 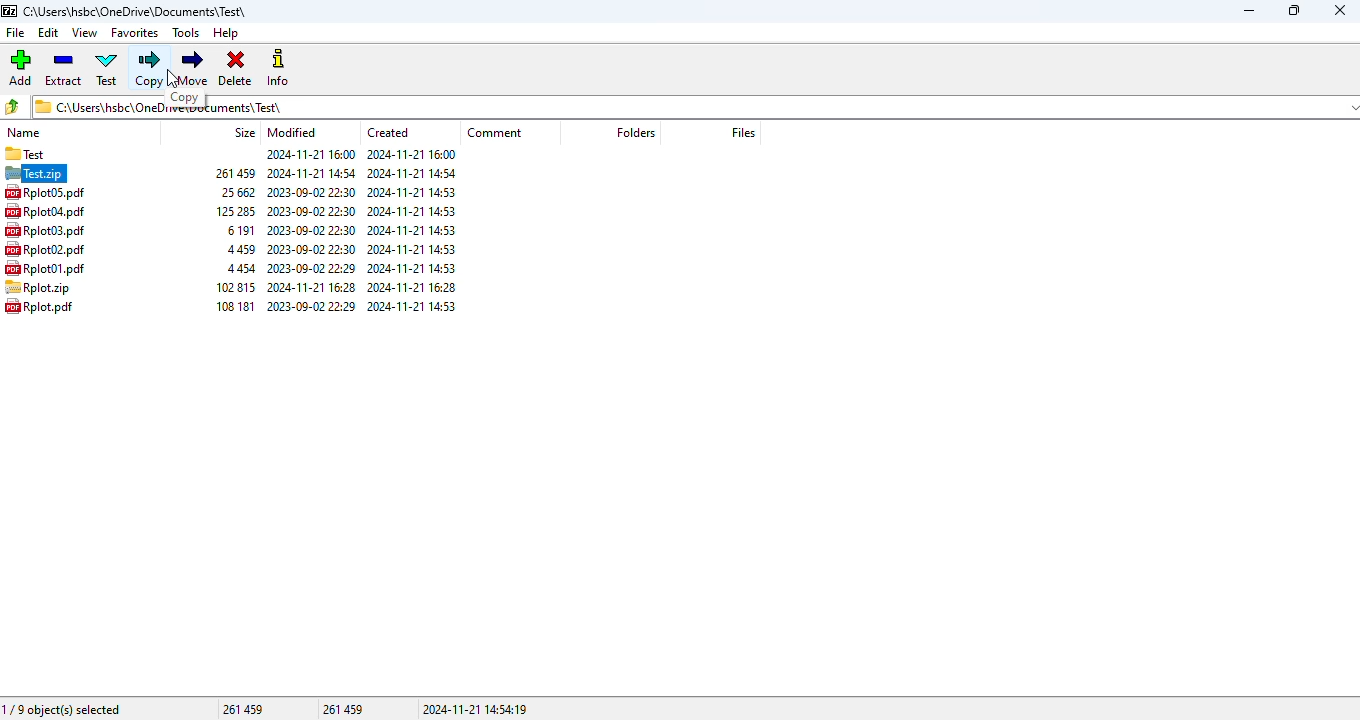 I want to click on size, so click(x=239, y=249).